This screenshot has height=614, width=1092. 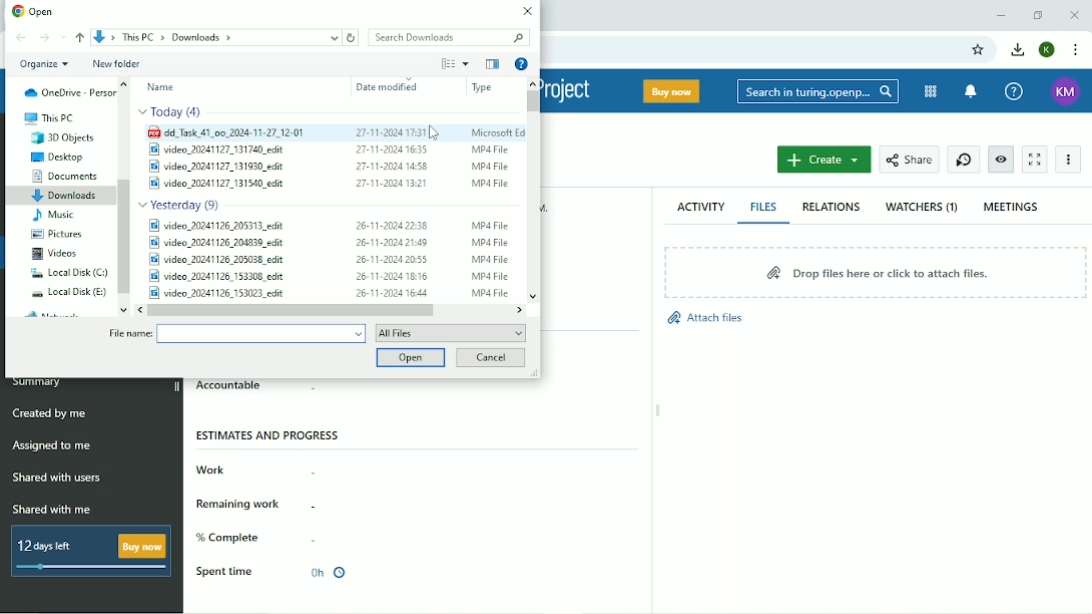 What do you see at coordinates (1078, 50) in the screenshot?
I see `Customize and control google chrome` at bounding box center [1078, 50].